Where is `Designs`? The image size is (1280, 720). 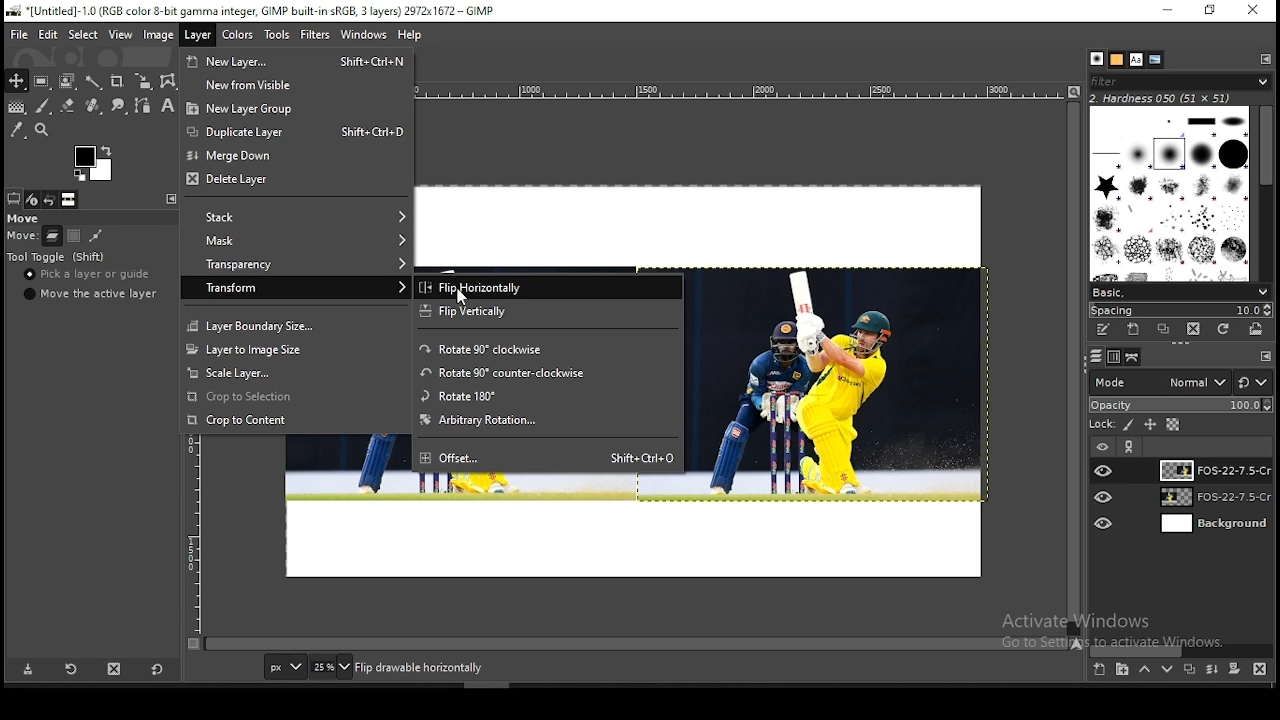 Designs is located at coordinates (1171, 192).